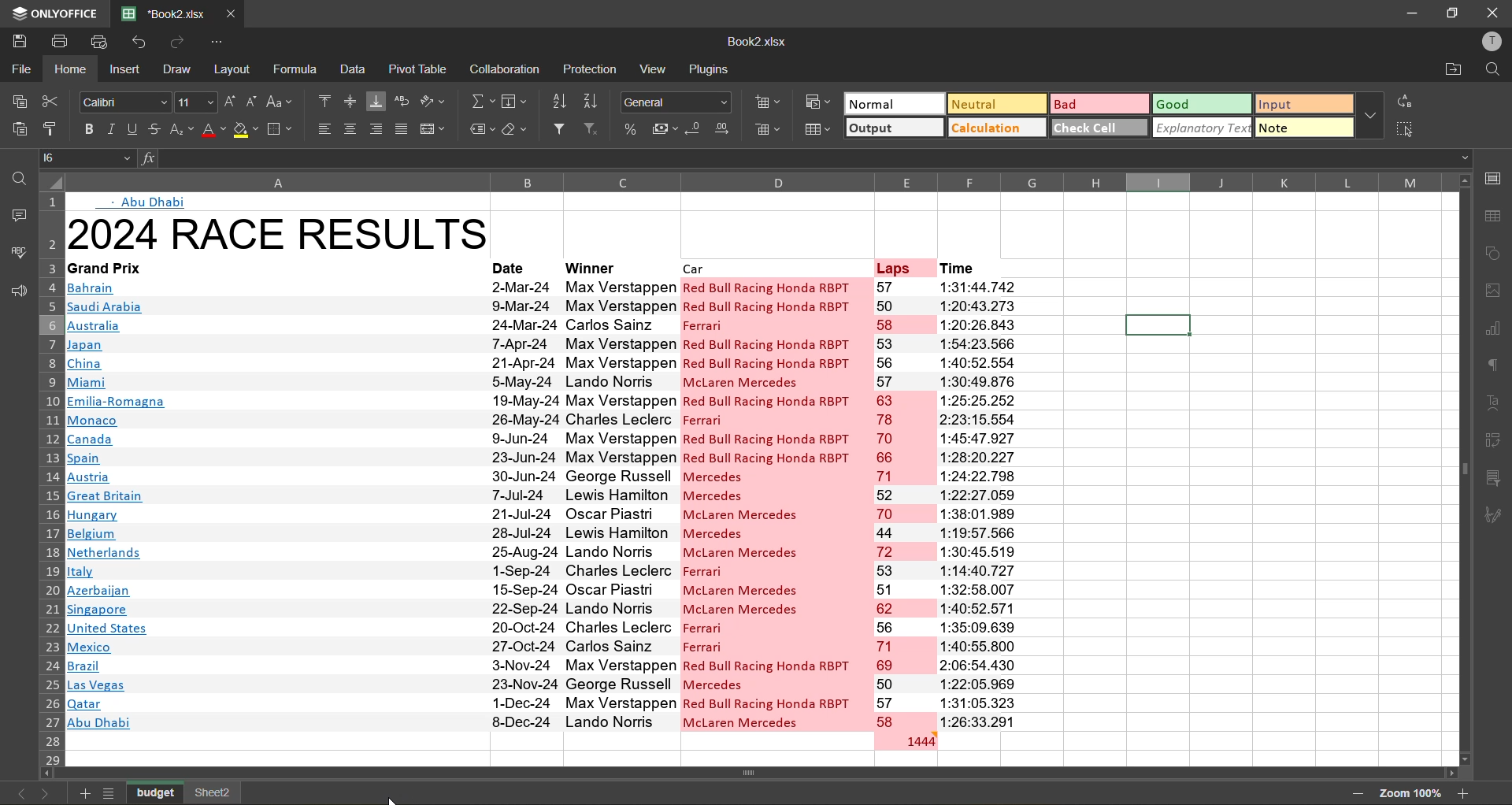 Image resolution: width=1512 pixels, height=805 pixels. What do you see at coordinates (1200, 106) in the screenshot?
I see `good` at bounding box center [1200, 106].